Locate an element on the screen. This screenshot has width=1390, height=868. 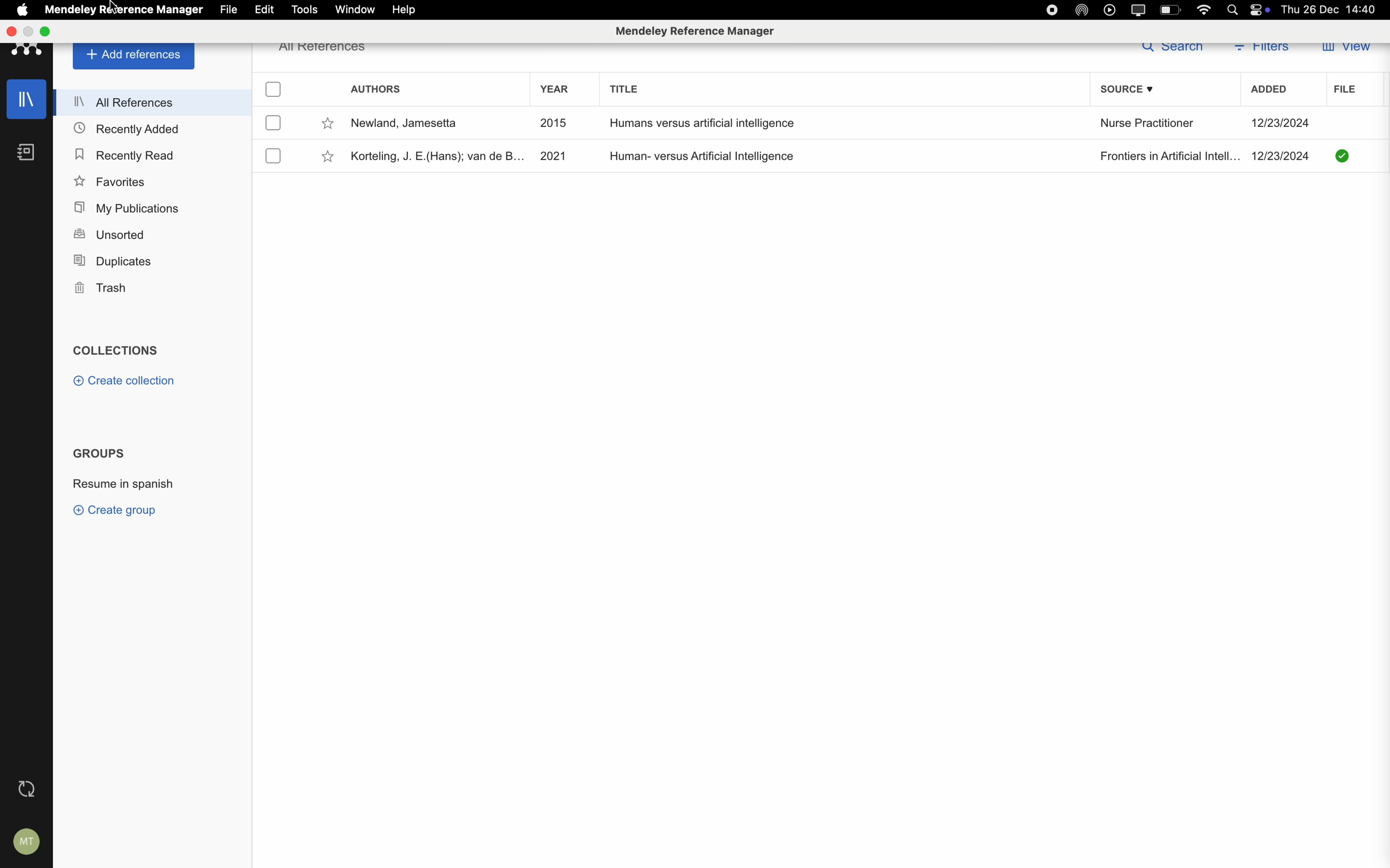
add references is located at coordinates (135, 56).